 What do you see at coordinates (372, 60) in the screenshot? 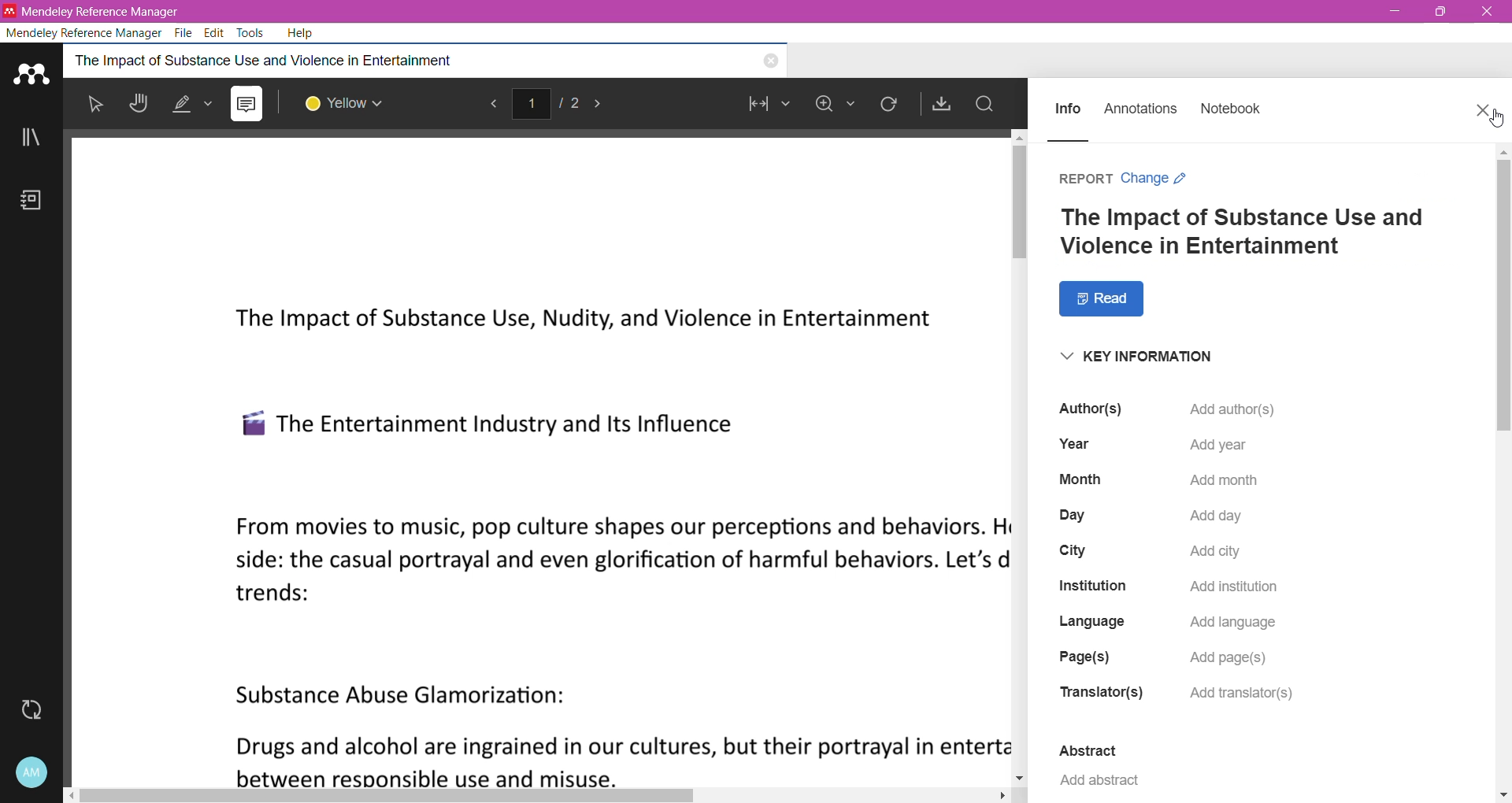
I see `Reference Item Title` at bounding box center [372, 60].